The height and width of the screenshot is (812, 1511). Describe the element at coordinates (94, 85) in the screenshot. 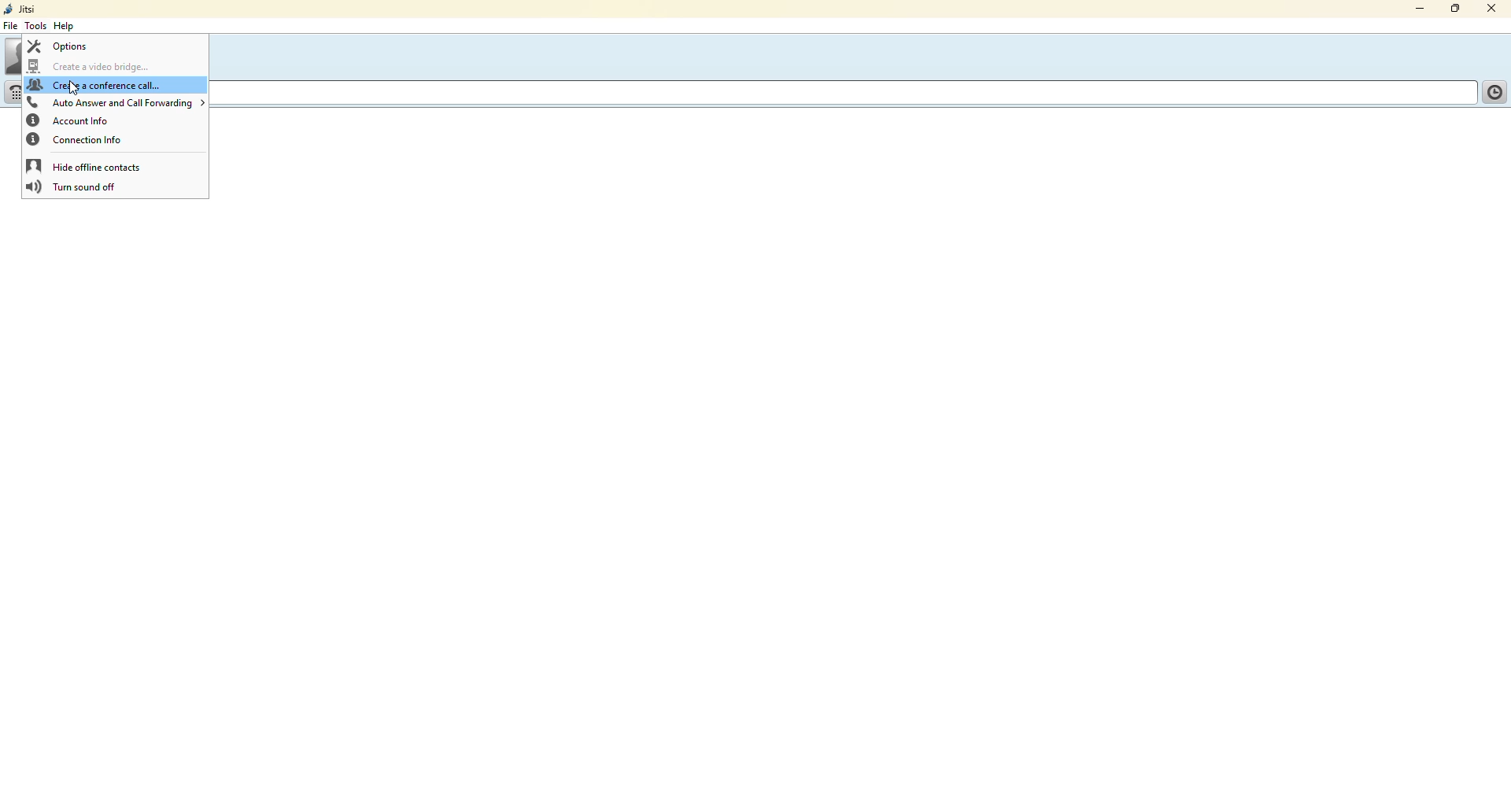

I see `create a conference call` at that location.